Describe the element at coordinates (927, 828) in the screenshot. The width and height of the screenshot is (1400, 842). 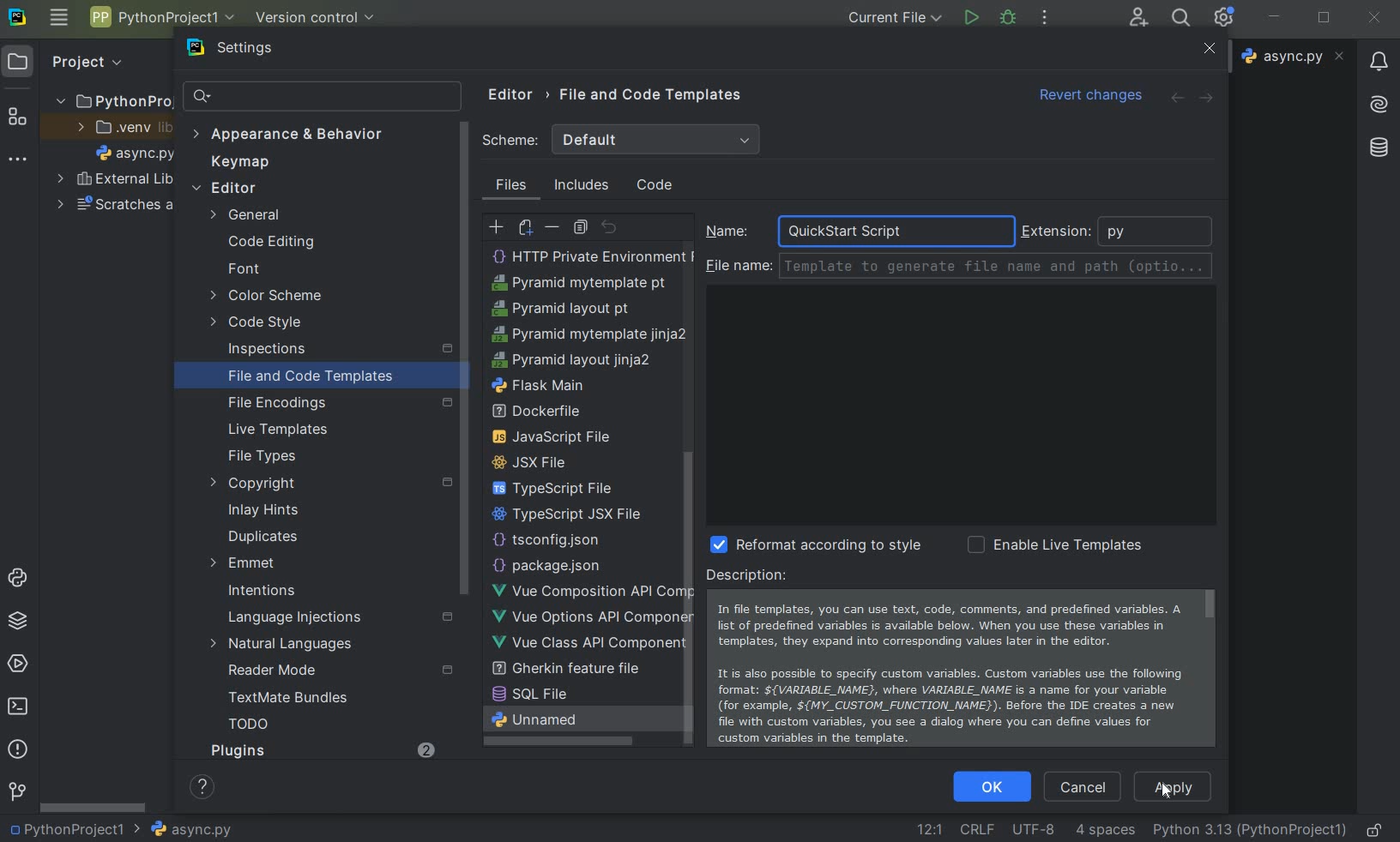
I see `go to line` at that location.